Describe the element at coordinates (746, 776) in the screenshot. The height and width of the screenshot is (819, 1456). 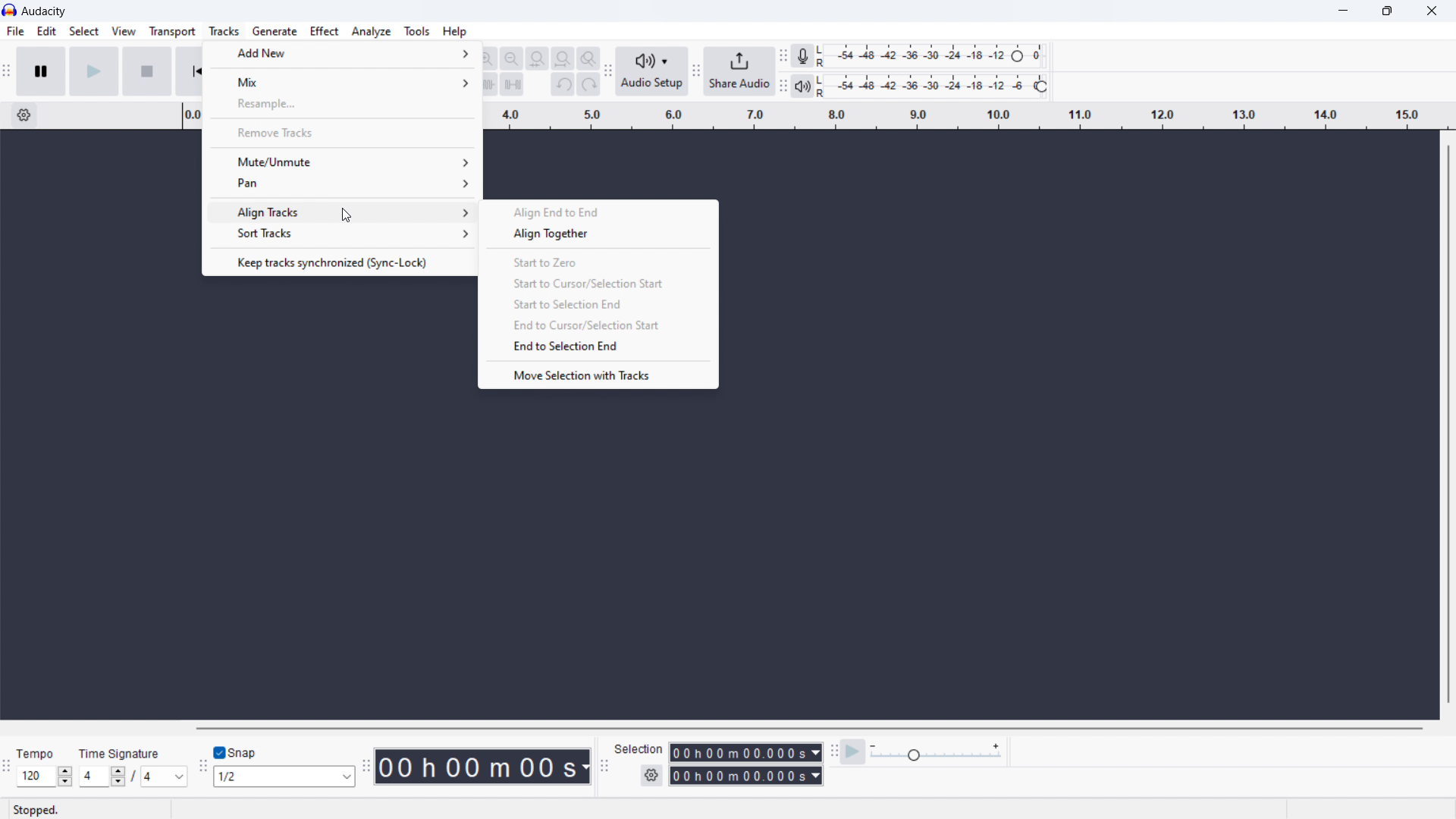
I see `selection end time` at that location.